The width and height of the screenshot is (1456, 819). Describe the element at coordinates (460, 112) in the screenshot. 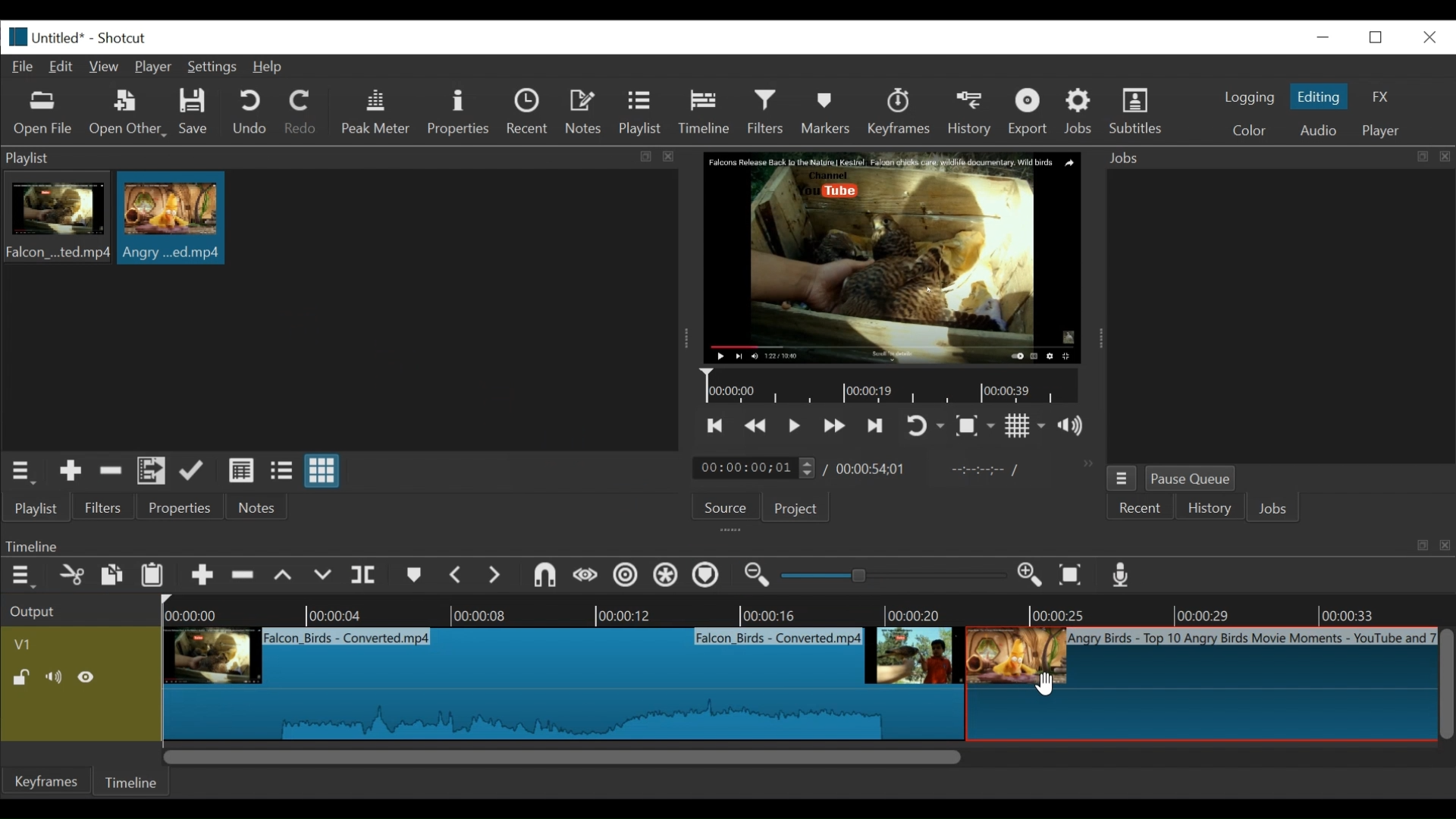

I see `Properties` at that location.